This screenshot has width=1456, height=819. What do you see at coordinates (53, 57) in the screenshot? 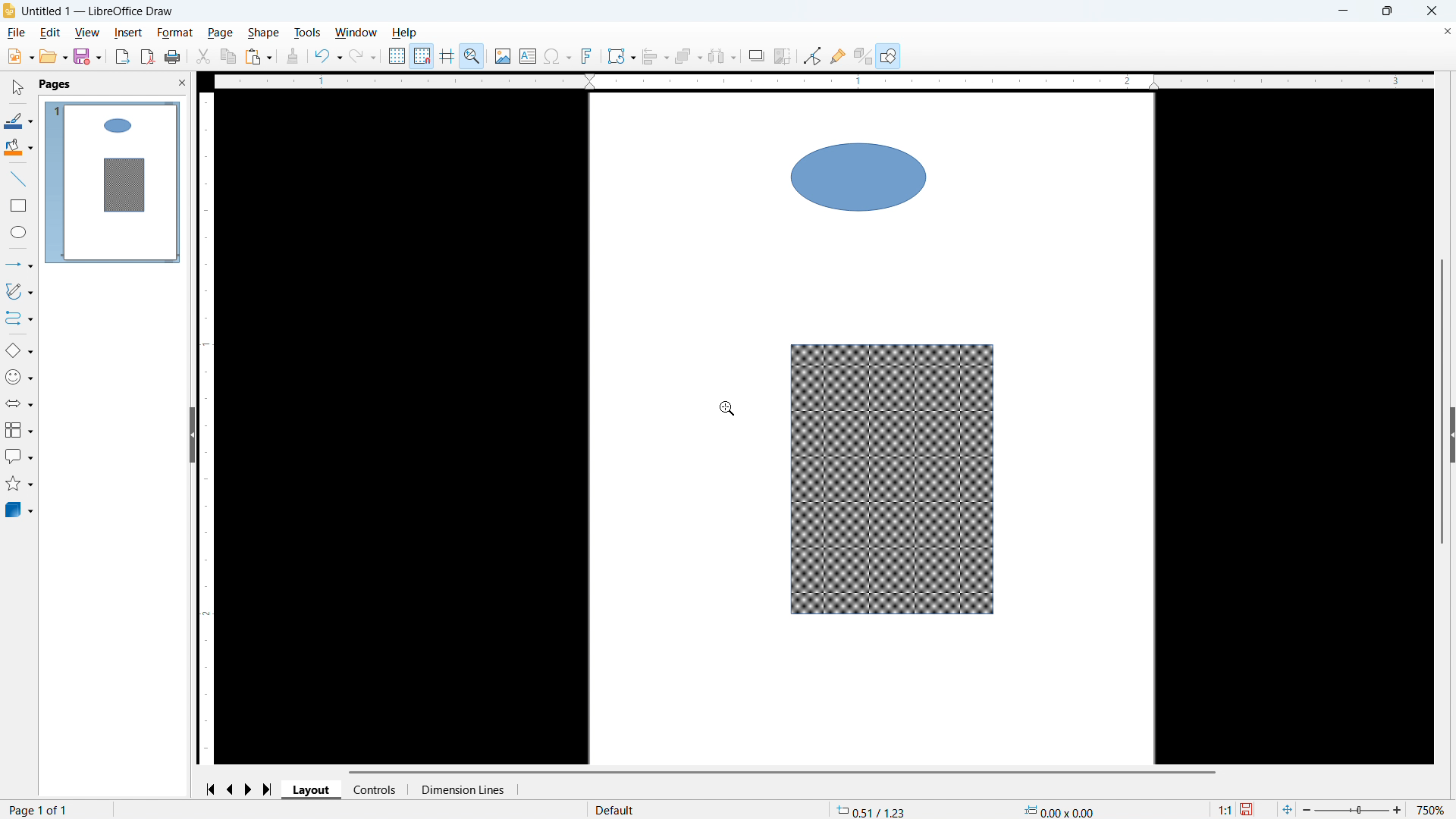
I see `open ` at bounding box center [53, 57].